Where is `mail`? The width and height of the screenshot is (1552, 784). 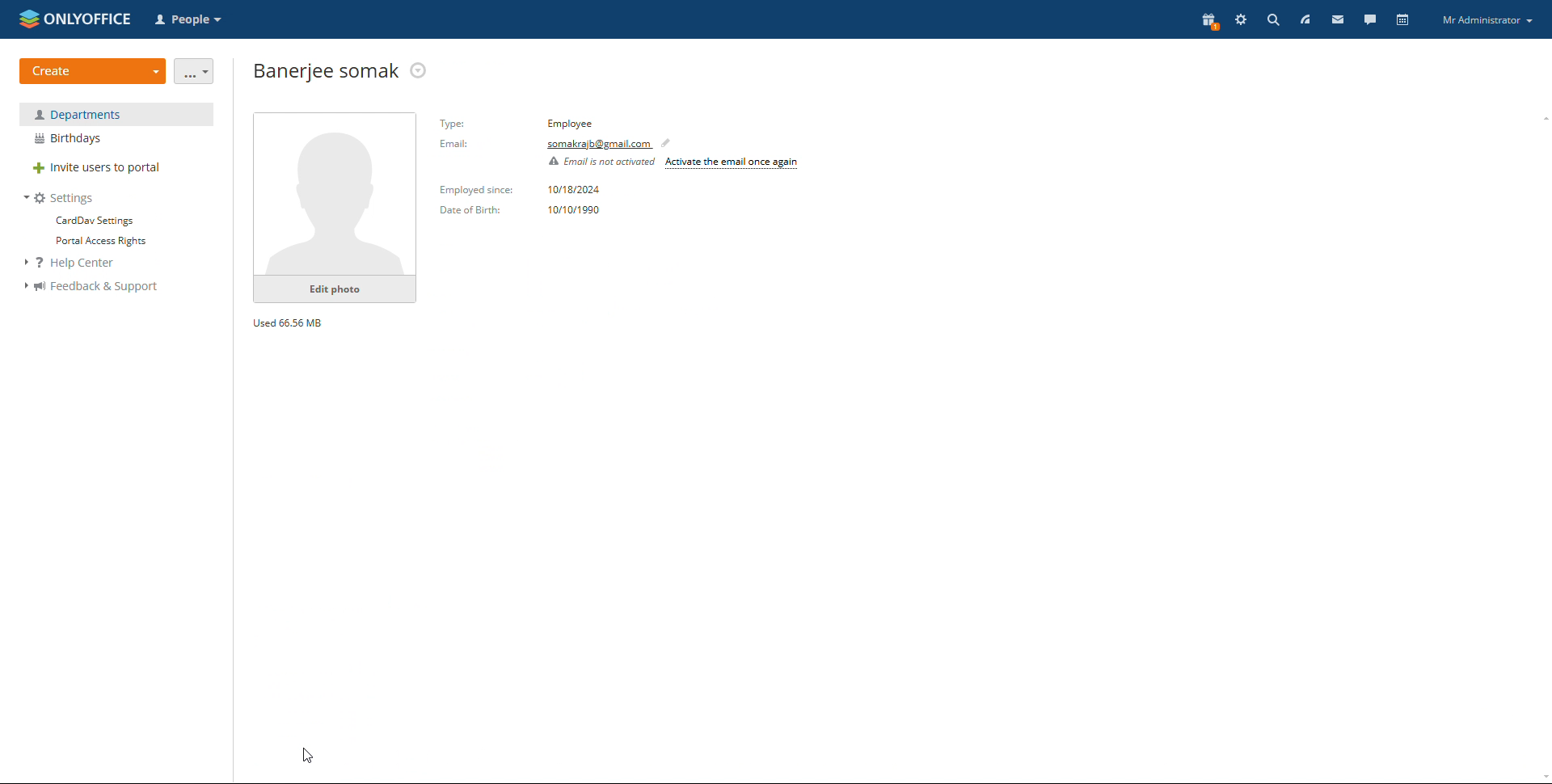
mail is located at coordinates (1336, 19).